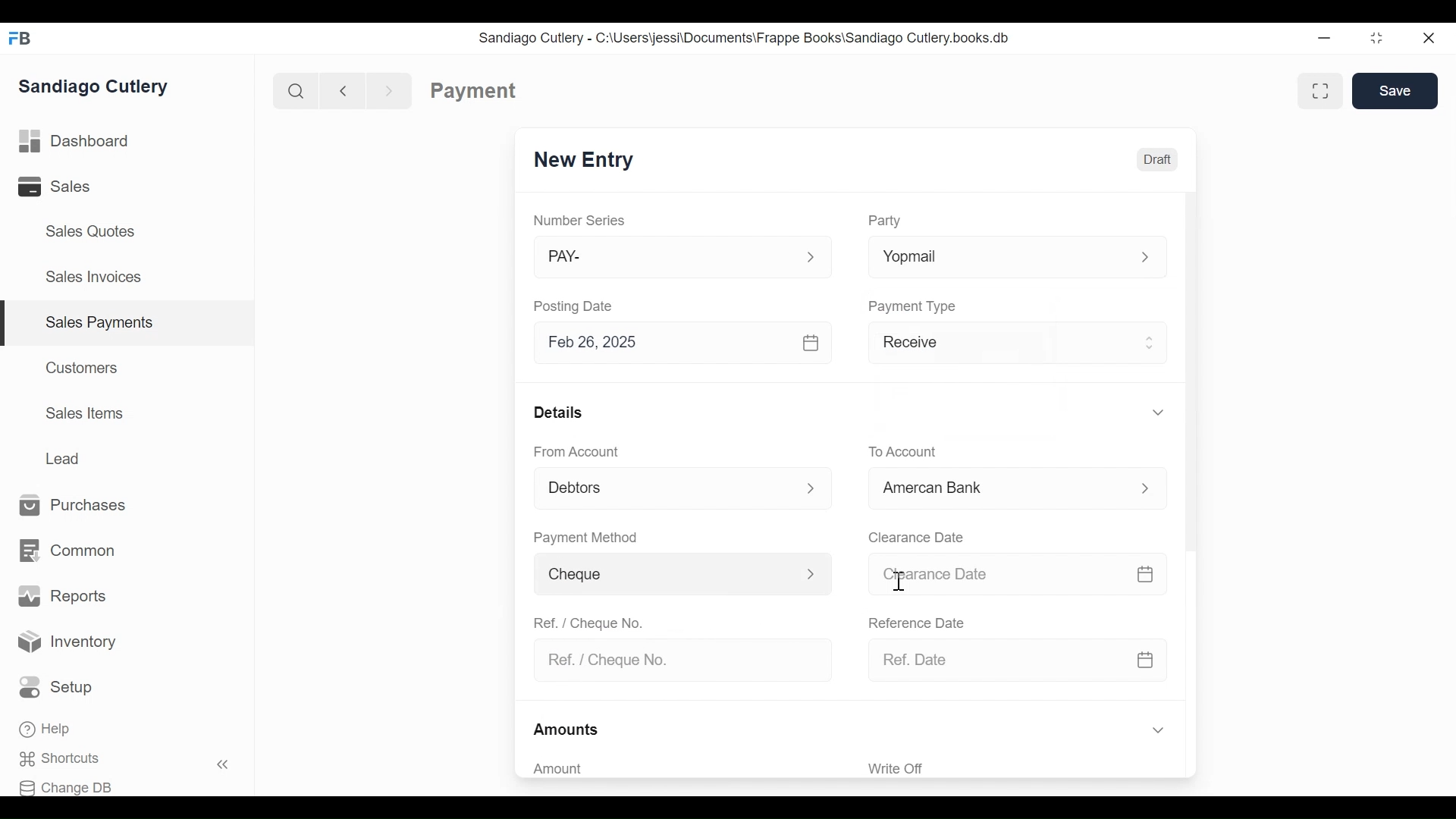 This screenshot has width=1456, height=819. What do you see at coordinates (93, 278) in the screenshot?
I see `Sales Invoices` at bounding box center [93, 278].